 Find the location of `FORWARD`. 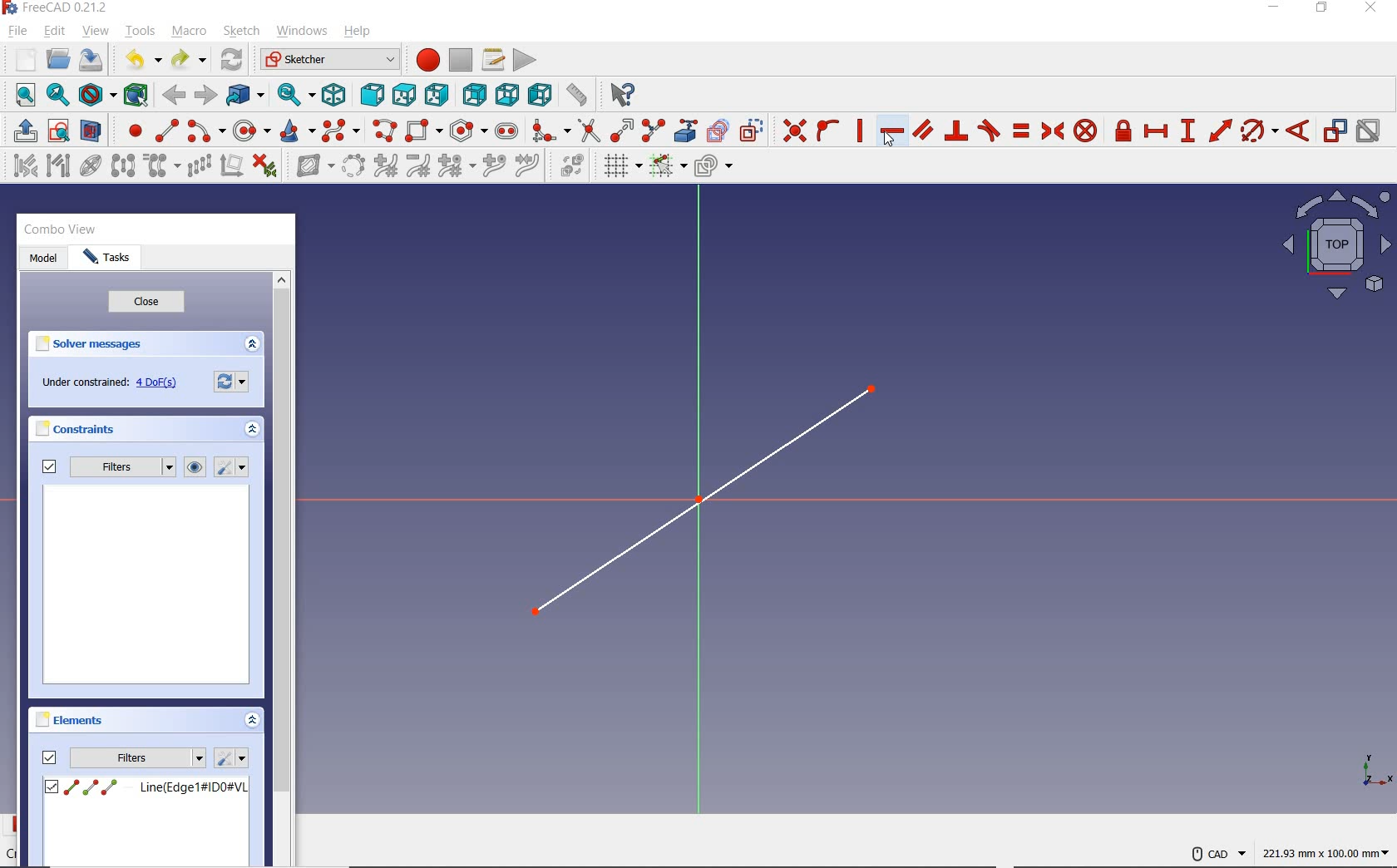

FORWARD is located at coordinates (205, 95).